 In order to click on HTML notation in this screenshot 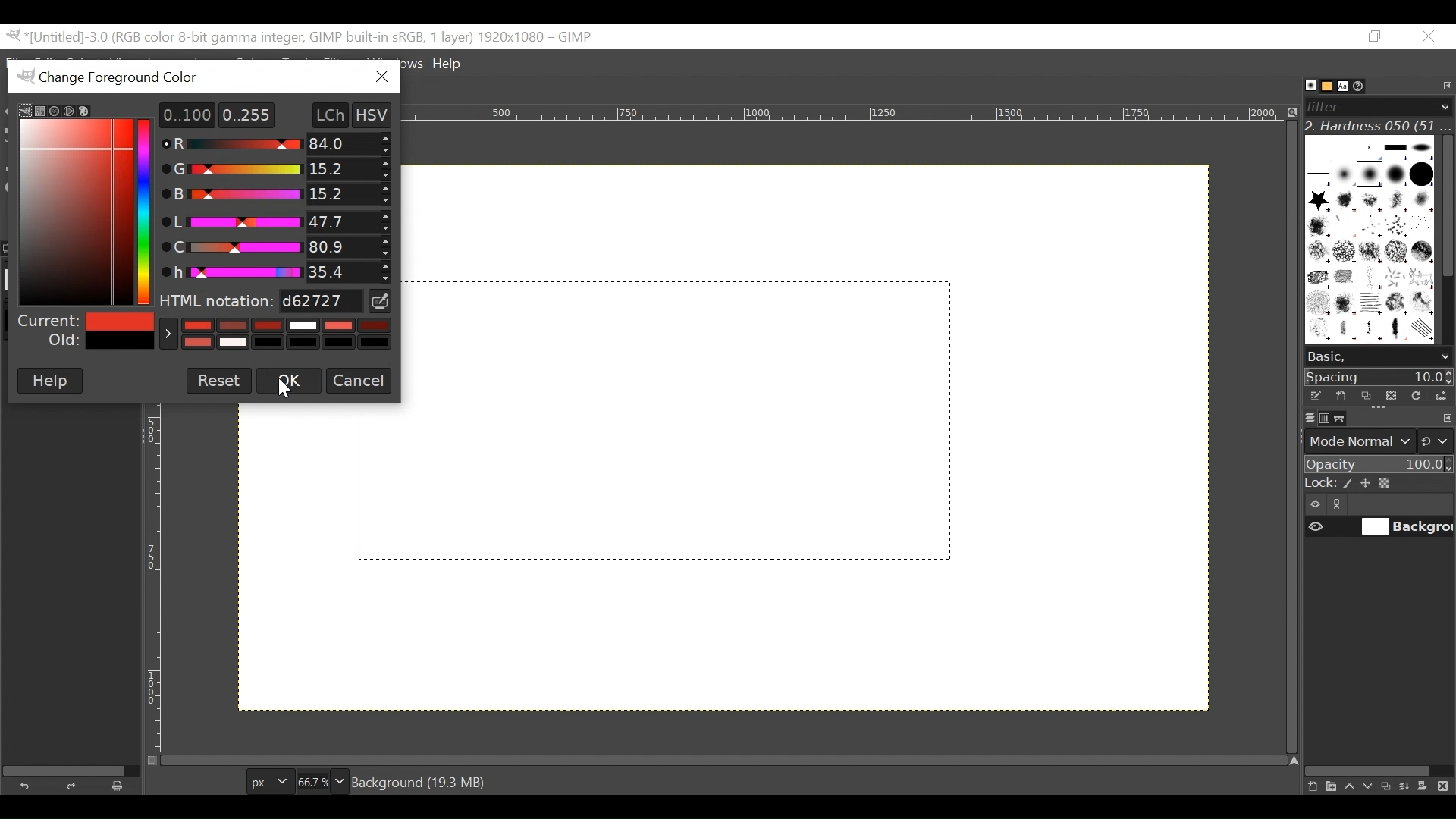, I will do `click(261, 301)`.